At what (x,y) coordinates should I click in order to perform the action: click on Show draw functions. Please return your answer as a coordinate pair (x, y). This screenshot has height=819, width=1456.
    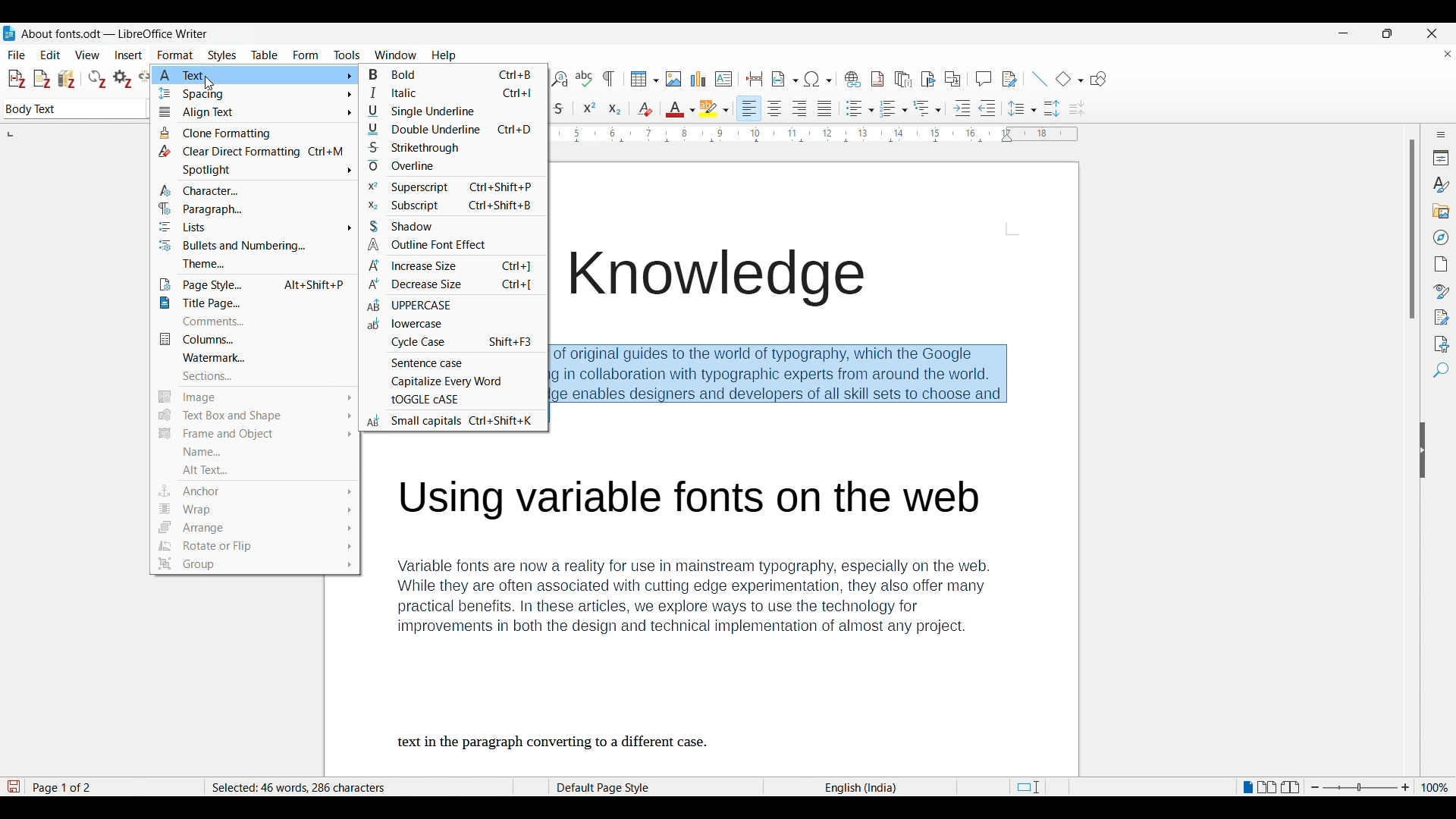
    Looking at the image, I should click on (1098, 79).